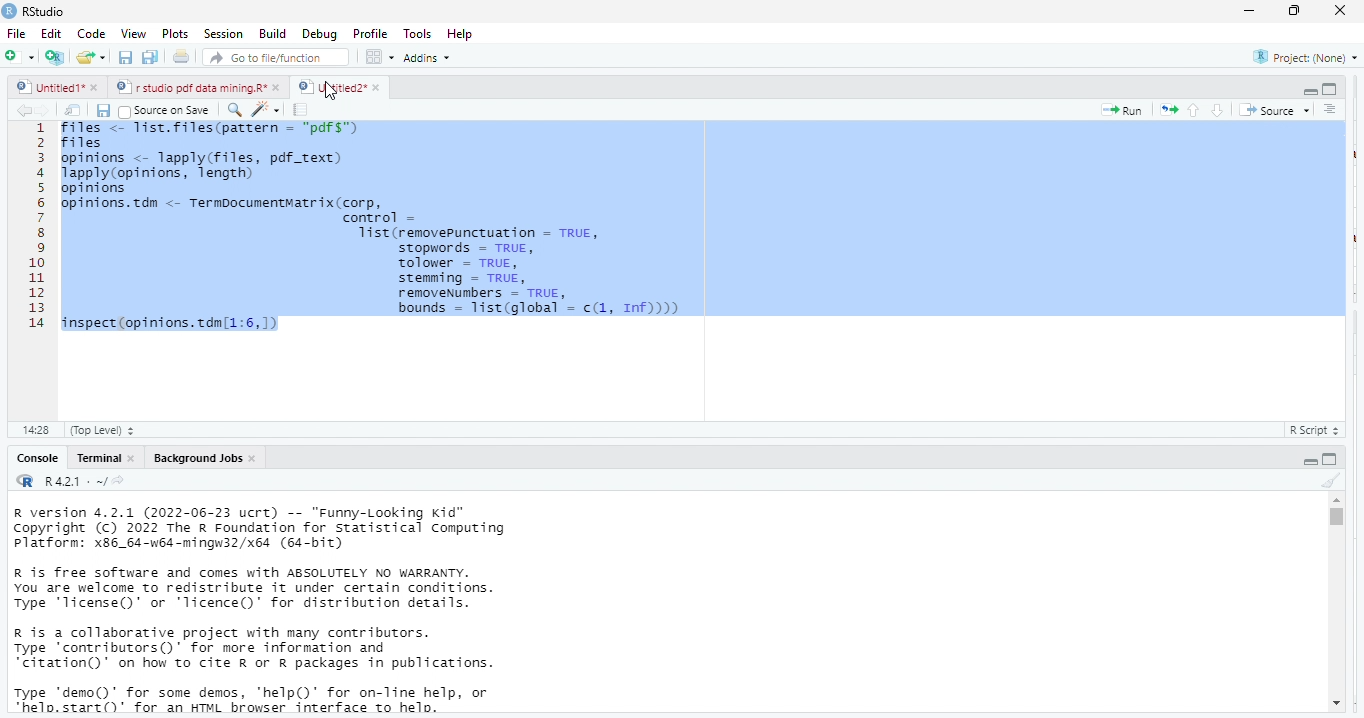 Image resolution: width=1364 pixels, height=718 pixels. I want to click on addins, so click(432, 57).